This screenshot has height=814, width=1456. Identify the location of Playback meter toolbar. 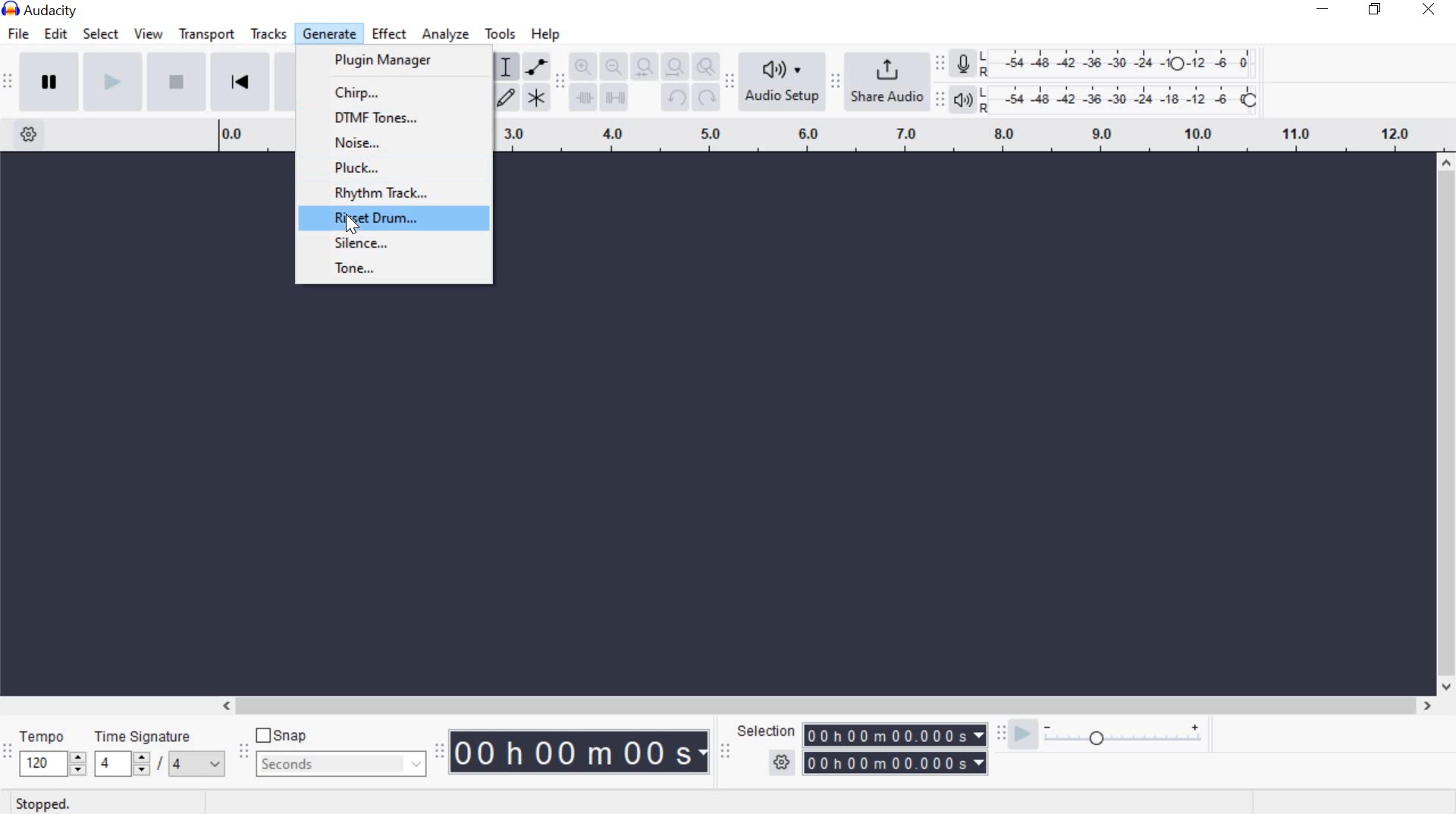
(938, 99).